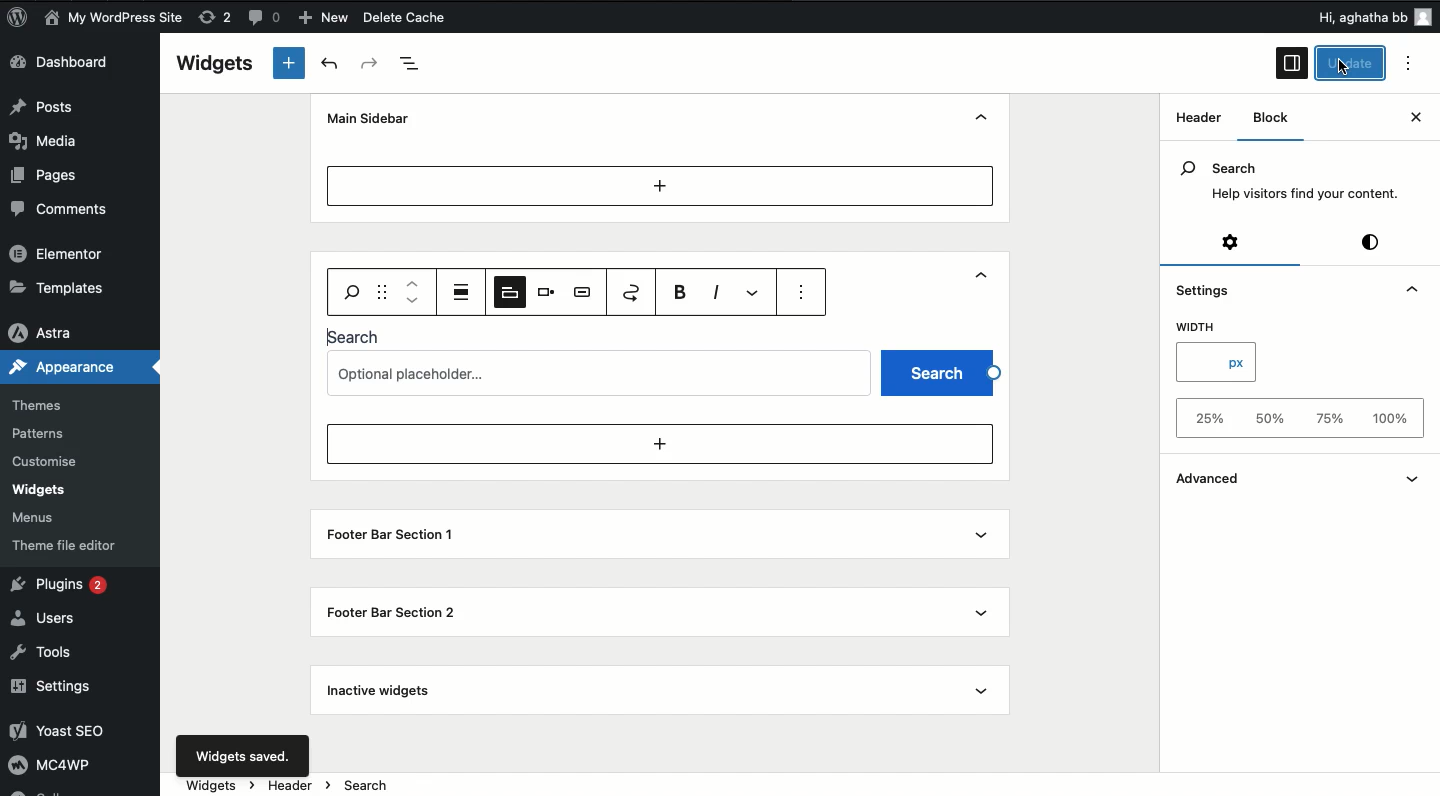 The width and height of the screenshot is (1440, 796). Describe the element at coordinates (24, 20) in the screenshot. I see `logo` at that location.